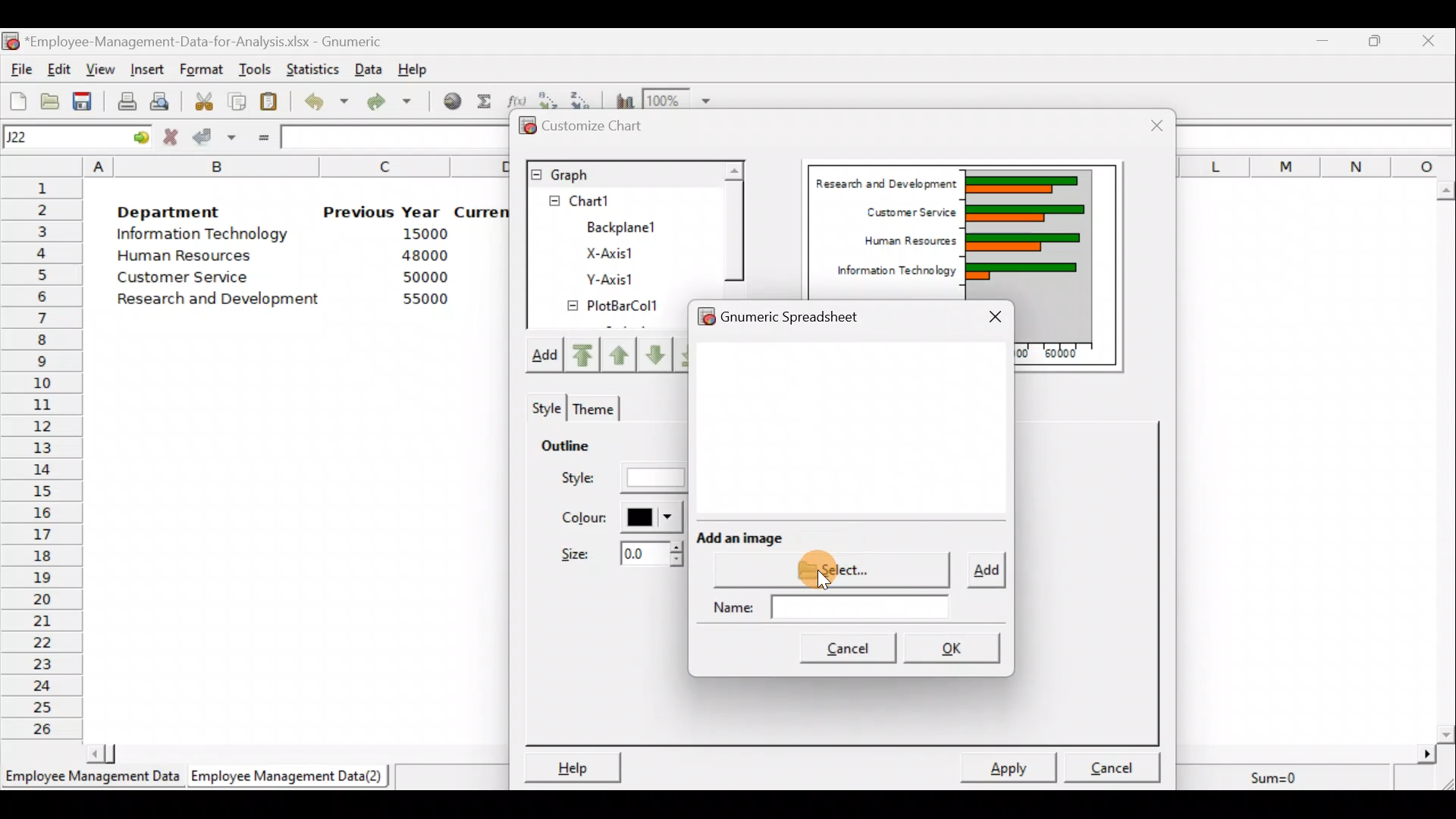  I want to click on Scroll bar, so click(1447, 457).